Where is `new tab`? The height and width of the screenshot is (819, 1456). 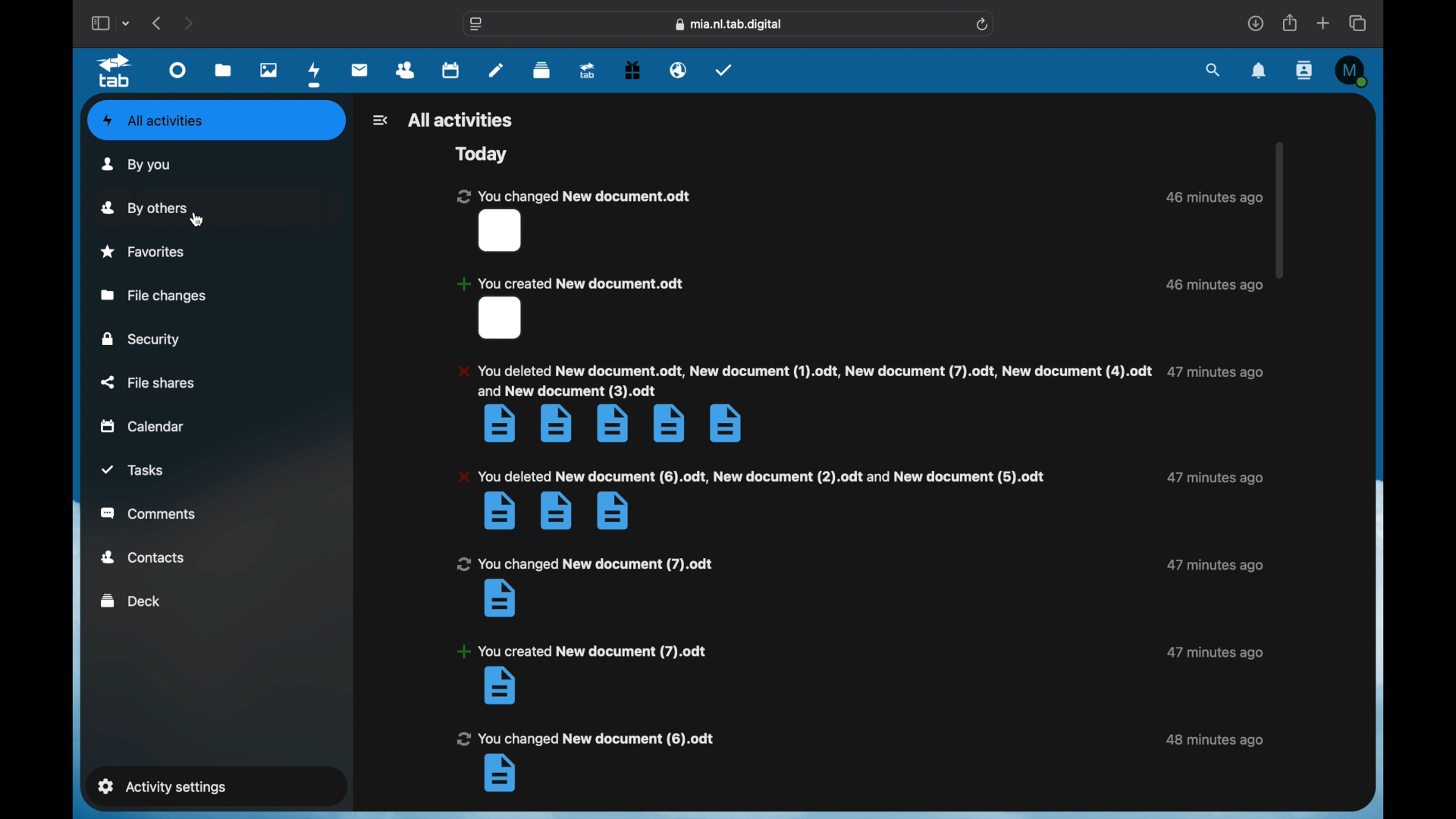 new tab is located at coordinates (1323, 23).